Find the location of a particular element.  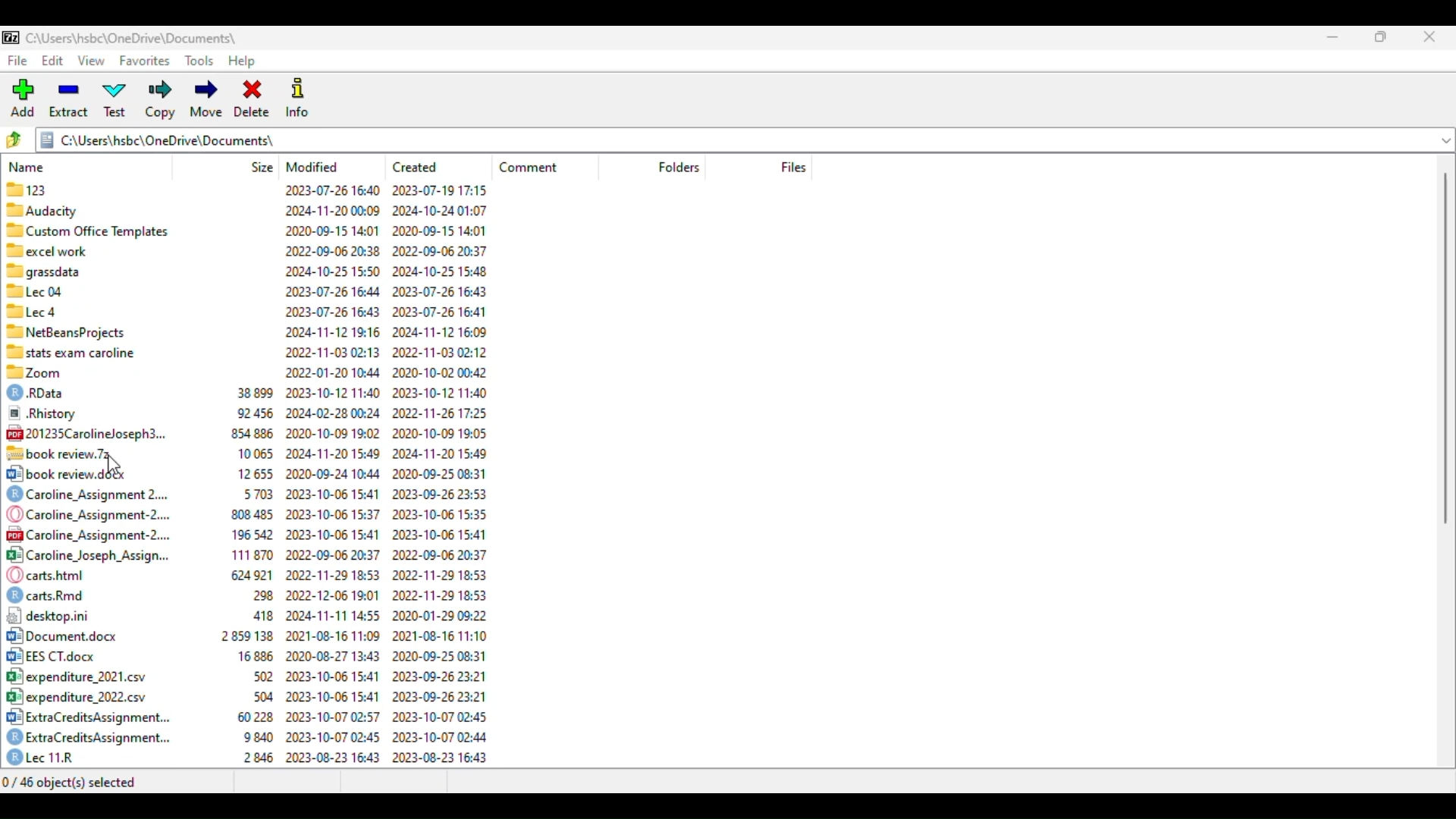

tools is located at coordinates (199, 62).